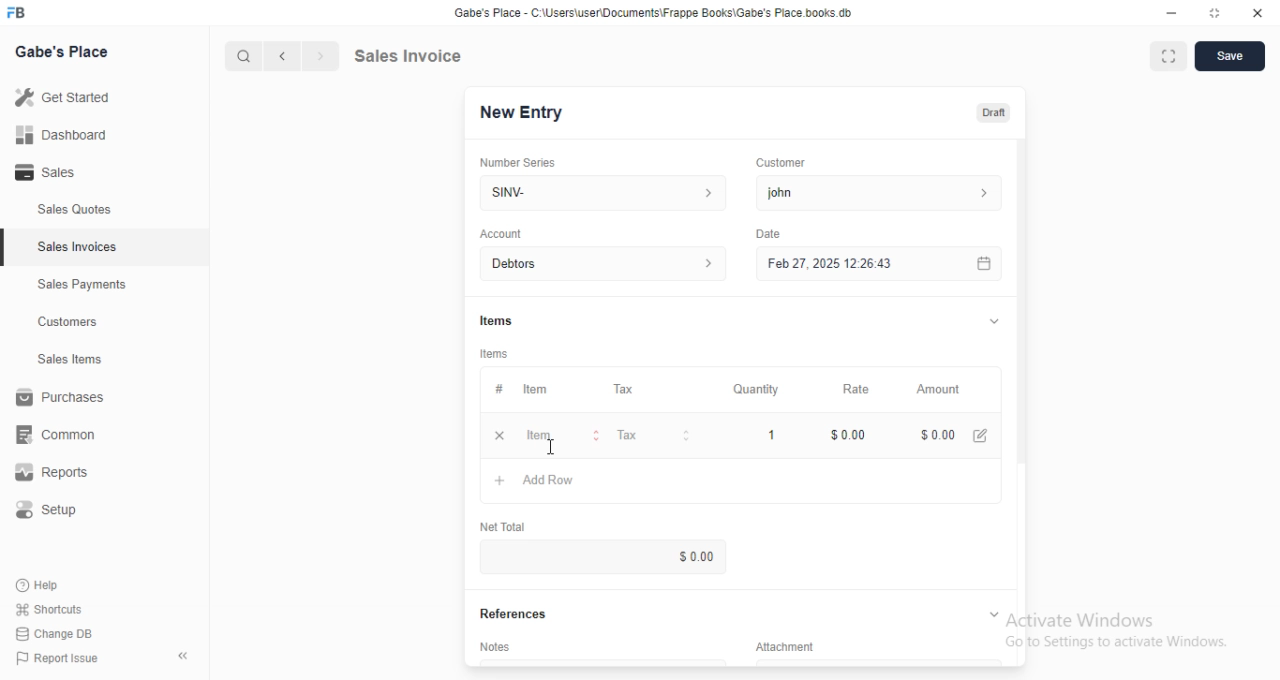 This screenshot has width=1280, height=680. I want to click on SINV, so click(597, 193).